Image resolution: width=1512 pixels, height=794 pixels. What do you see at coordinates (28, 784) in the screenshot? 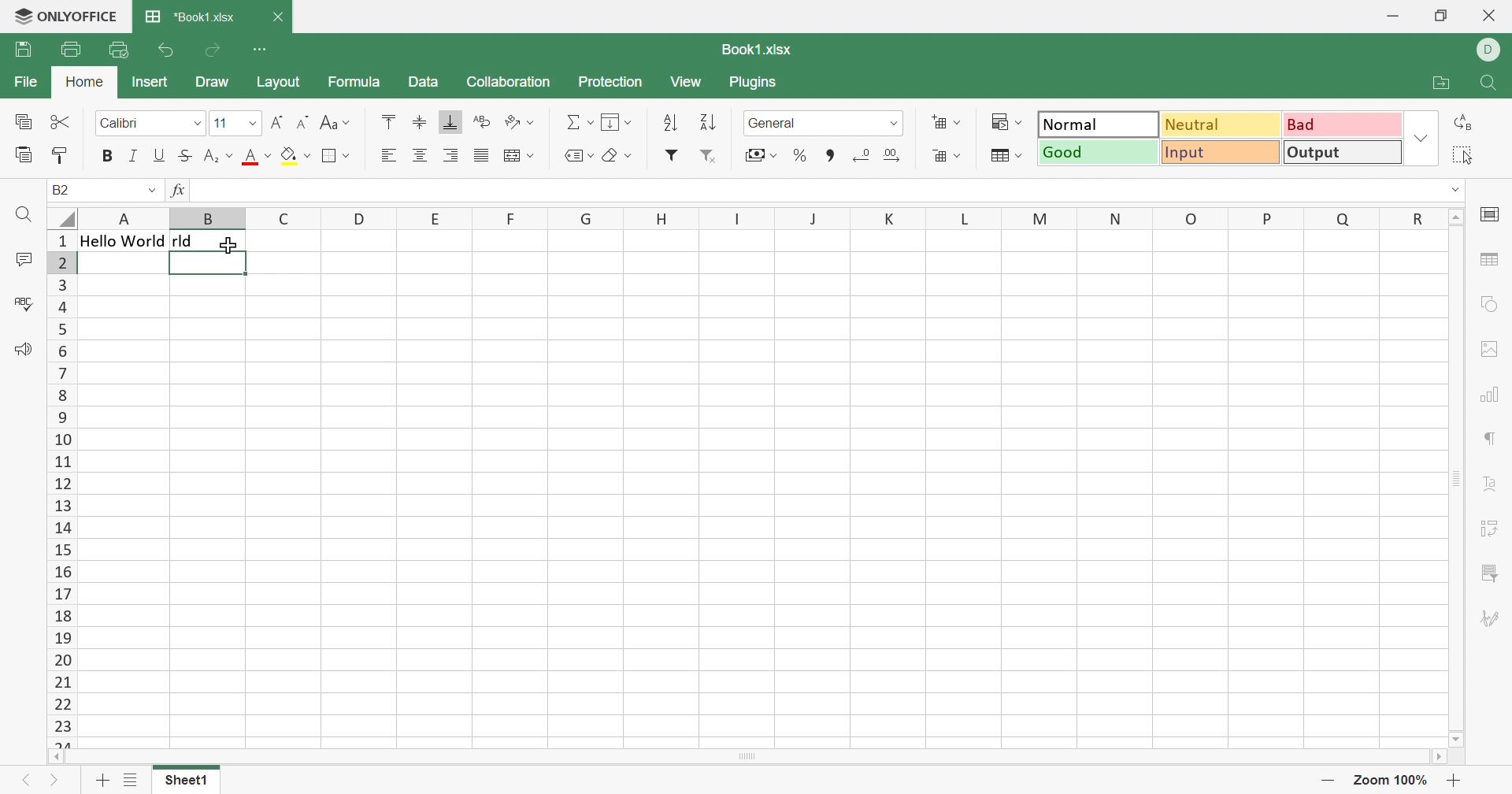
I see `Previous` at bounding box center [28, 784].